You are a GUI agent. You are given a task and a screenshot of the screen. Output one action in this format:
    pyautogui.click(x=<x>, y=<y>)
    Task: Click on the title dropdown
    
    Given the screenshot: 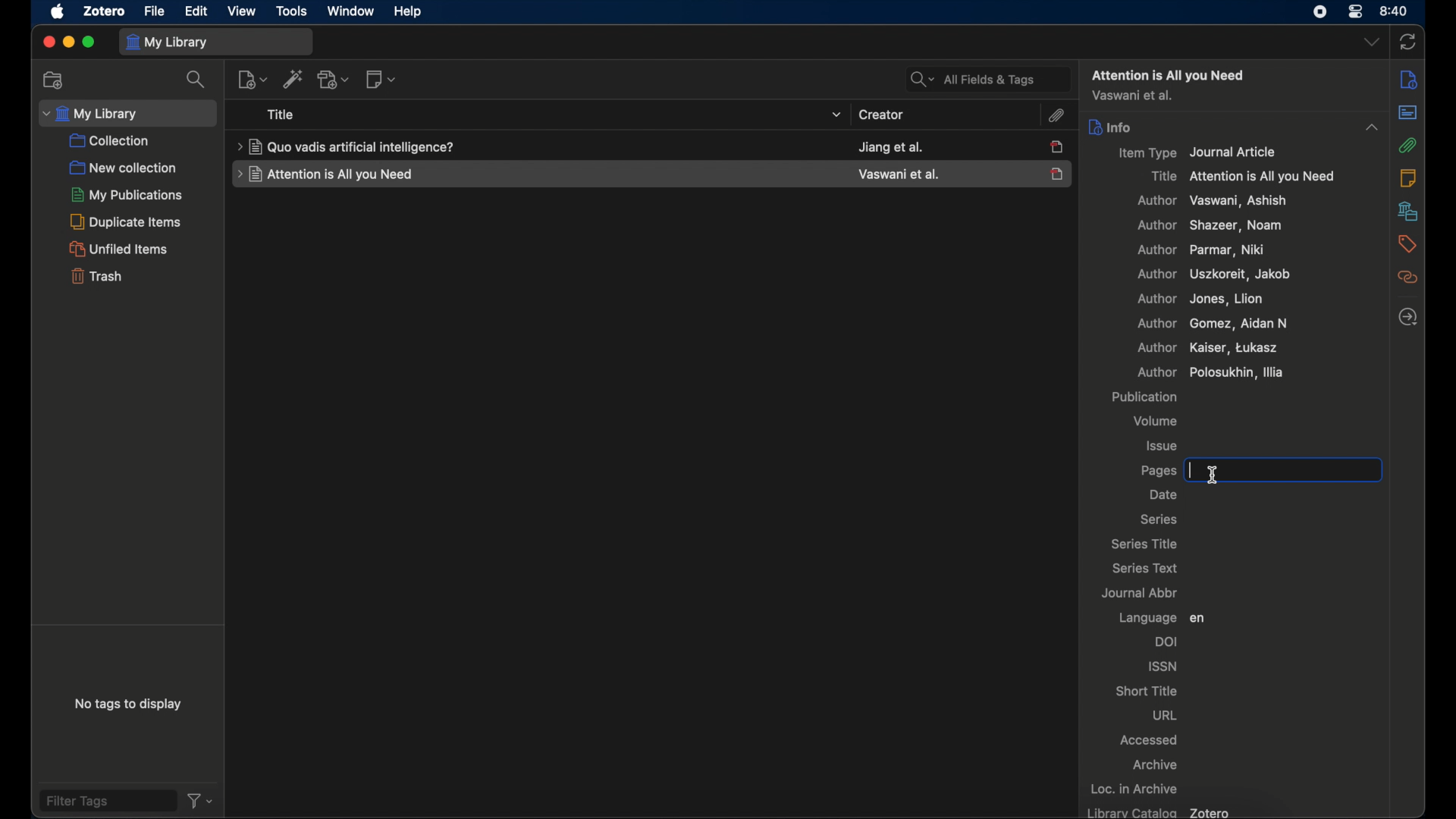 What is the action you would take?
    pyautogui.click(x=837, y=115)
    